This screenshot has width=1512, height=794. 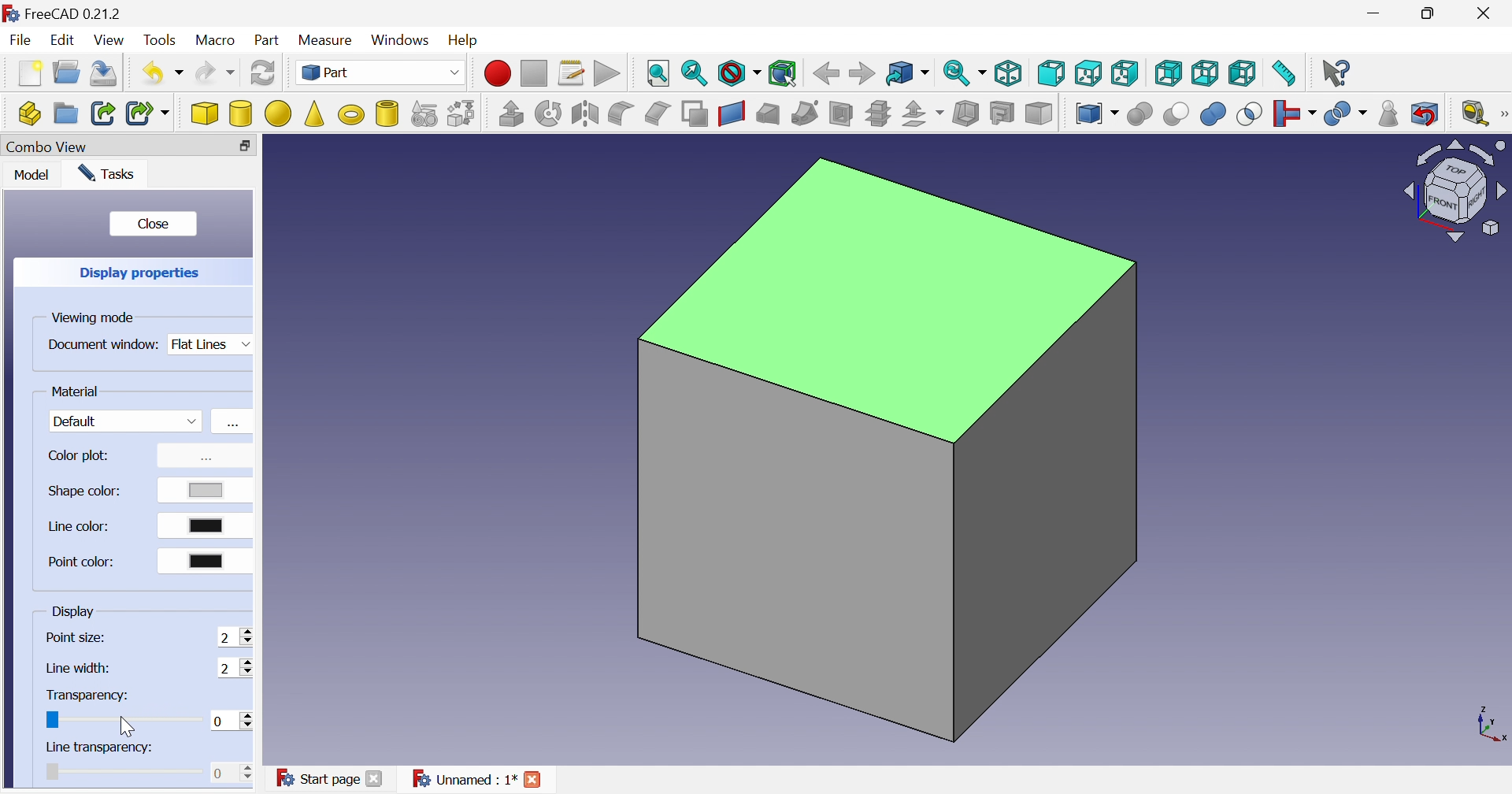 What do you see at coordinates (806, 113) in the screenshot?
I see `Sweep` at bounding box center [806, 113].